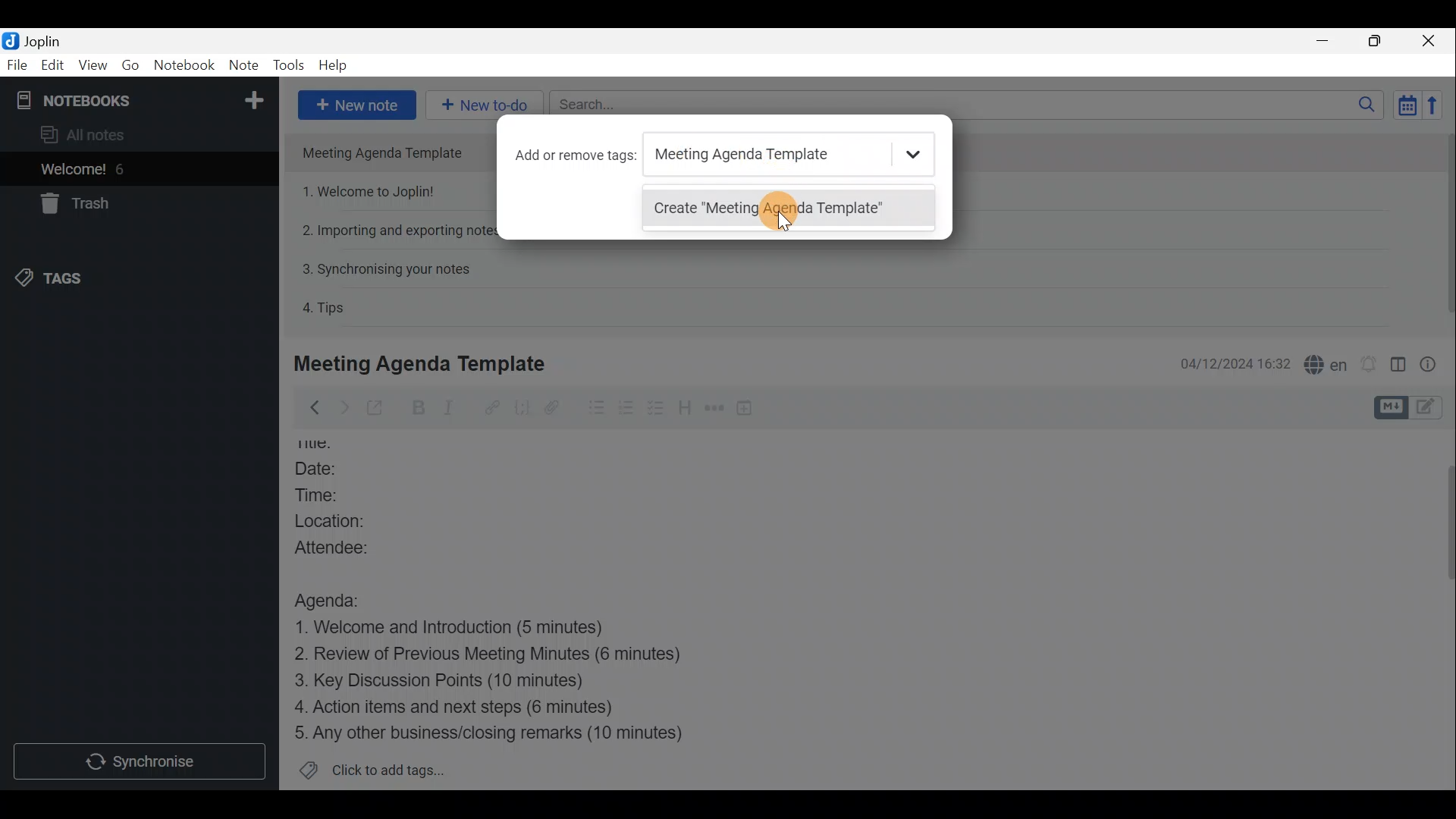 The image size is (1456, 819). What do you see at coordinates (350, 546) in the screenshot?
I see `Attendee:` at bounding box center [350, 546].